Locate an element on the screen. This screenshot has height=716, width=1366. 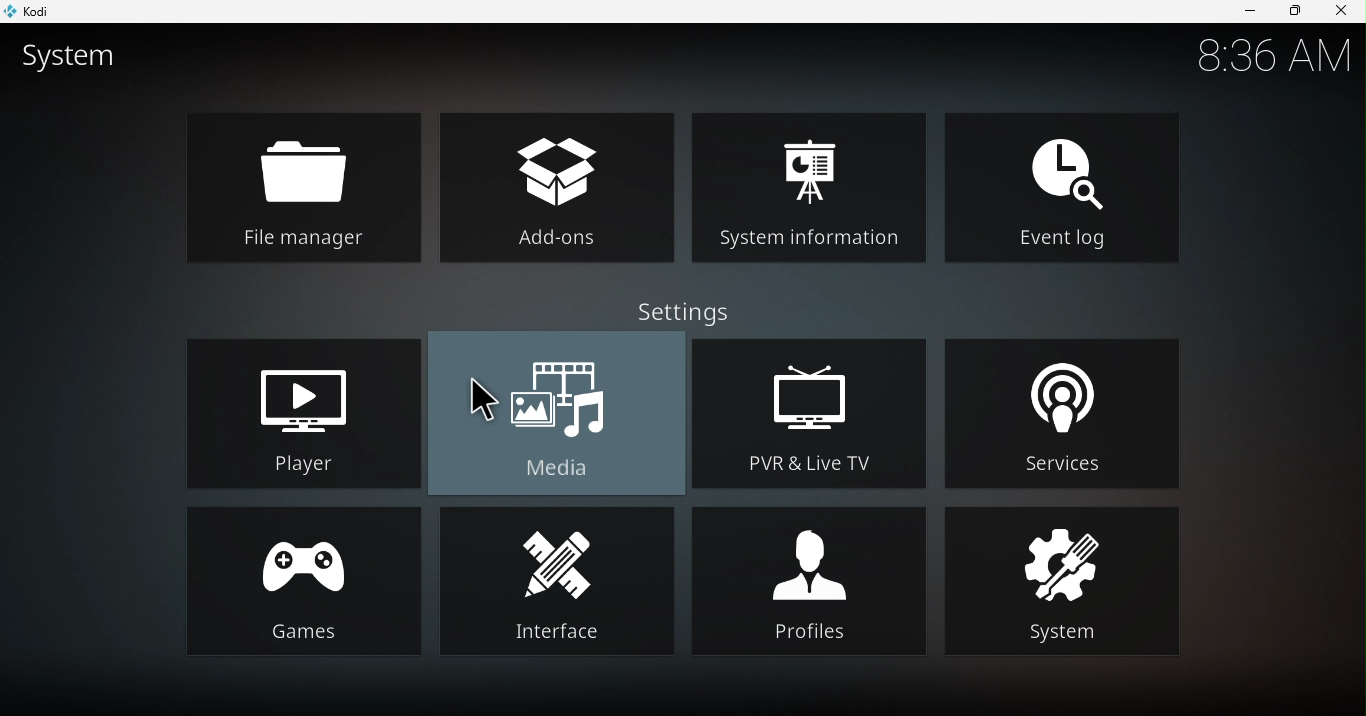
System information is located at coordinates (806, 185).